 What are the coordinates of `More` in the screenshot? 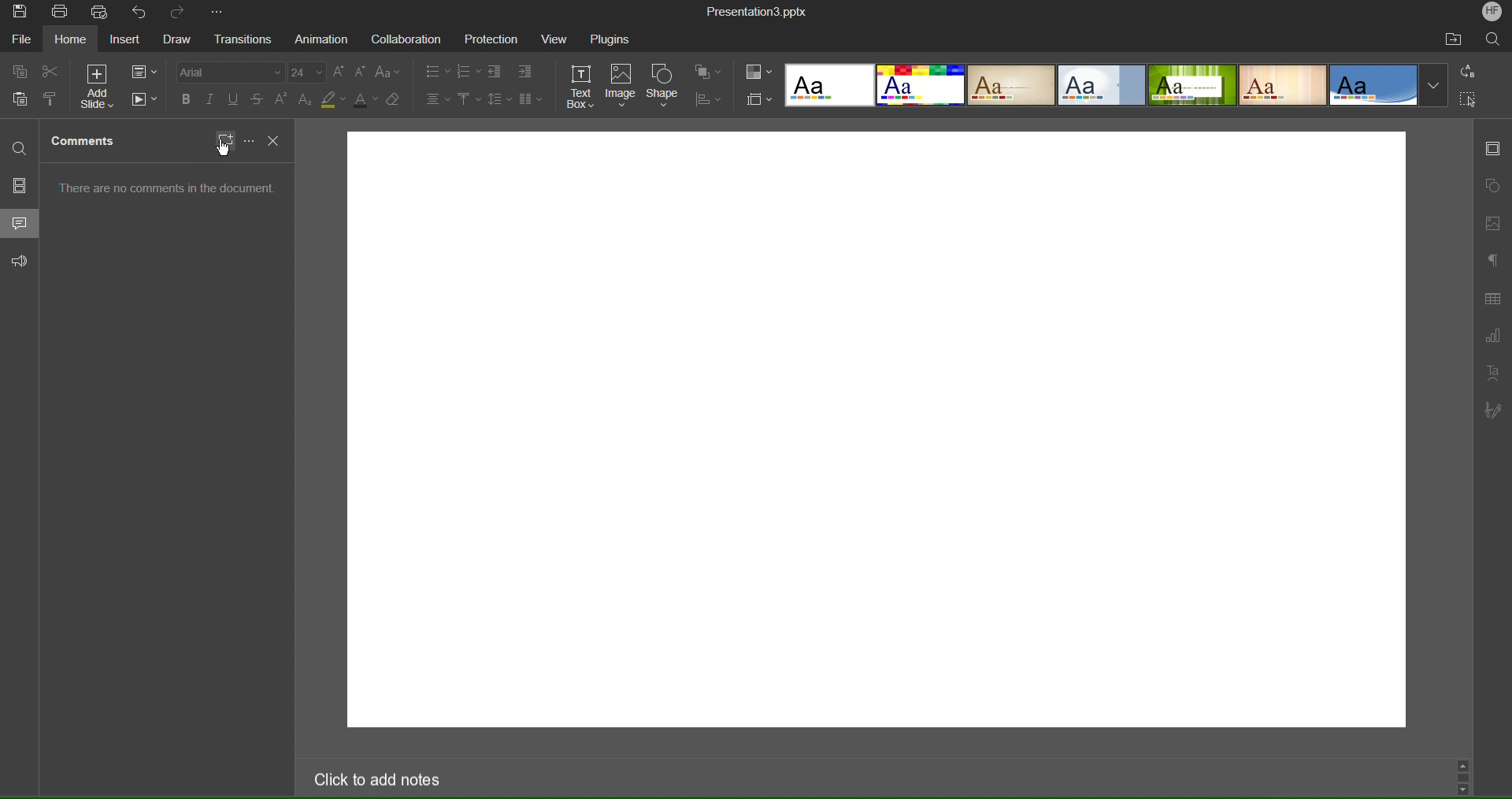 It's located at (216, 13).